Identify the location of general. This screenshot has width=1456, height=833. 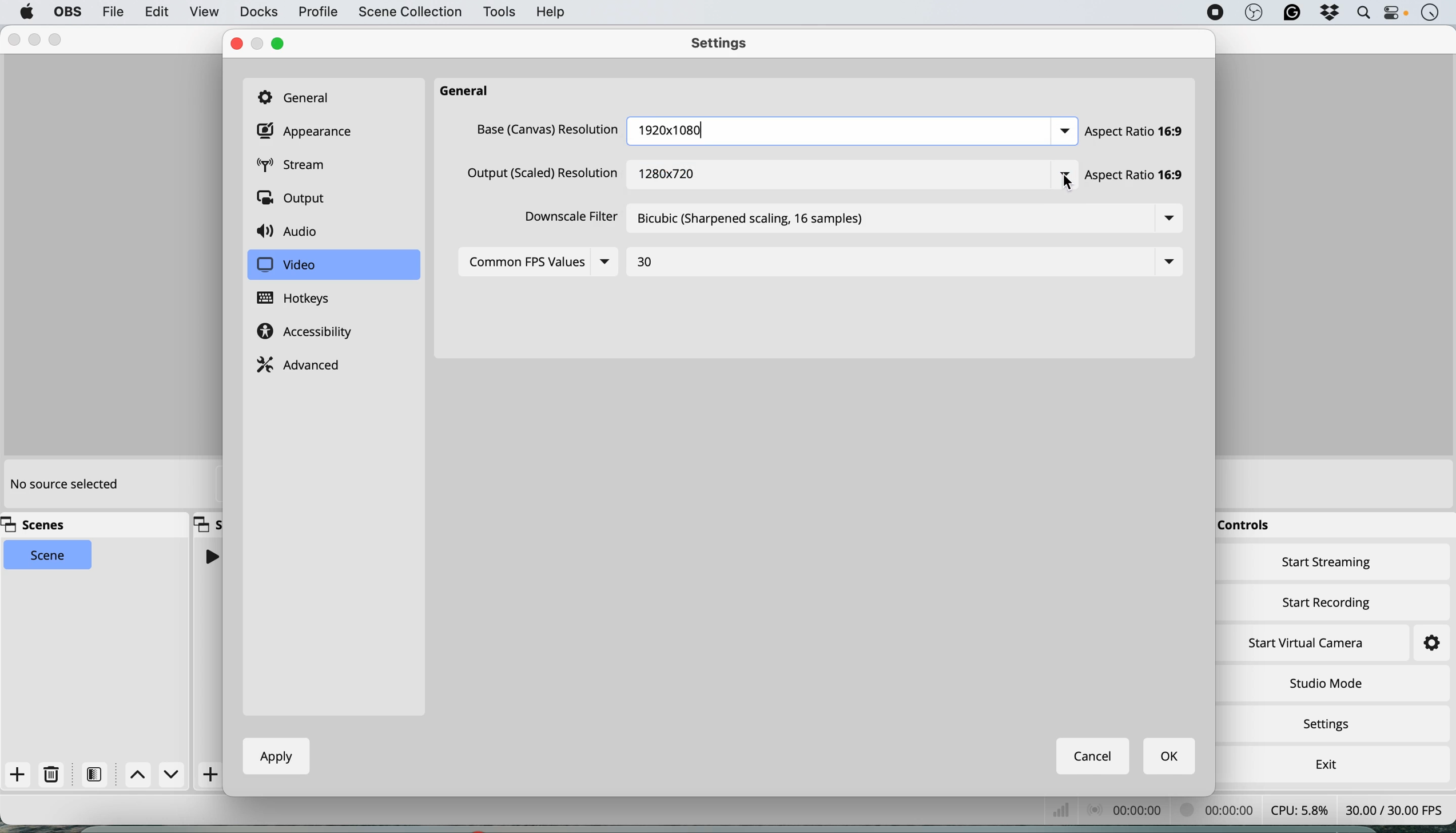
(300, 96).